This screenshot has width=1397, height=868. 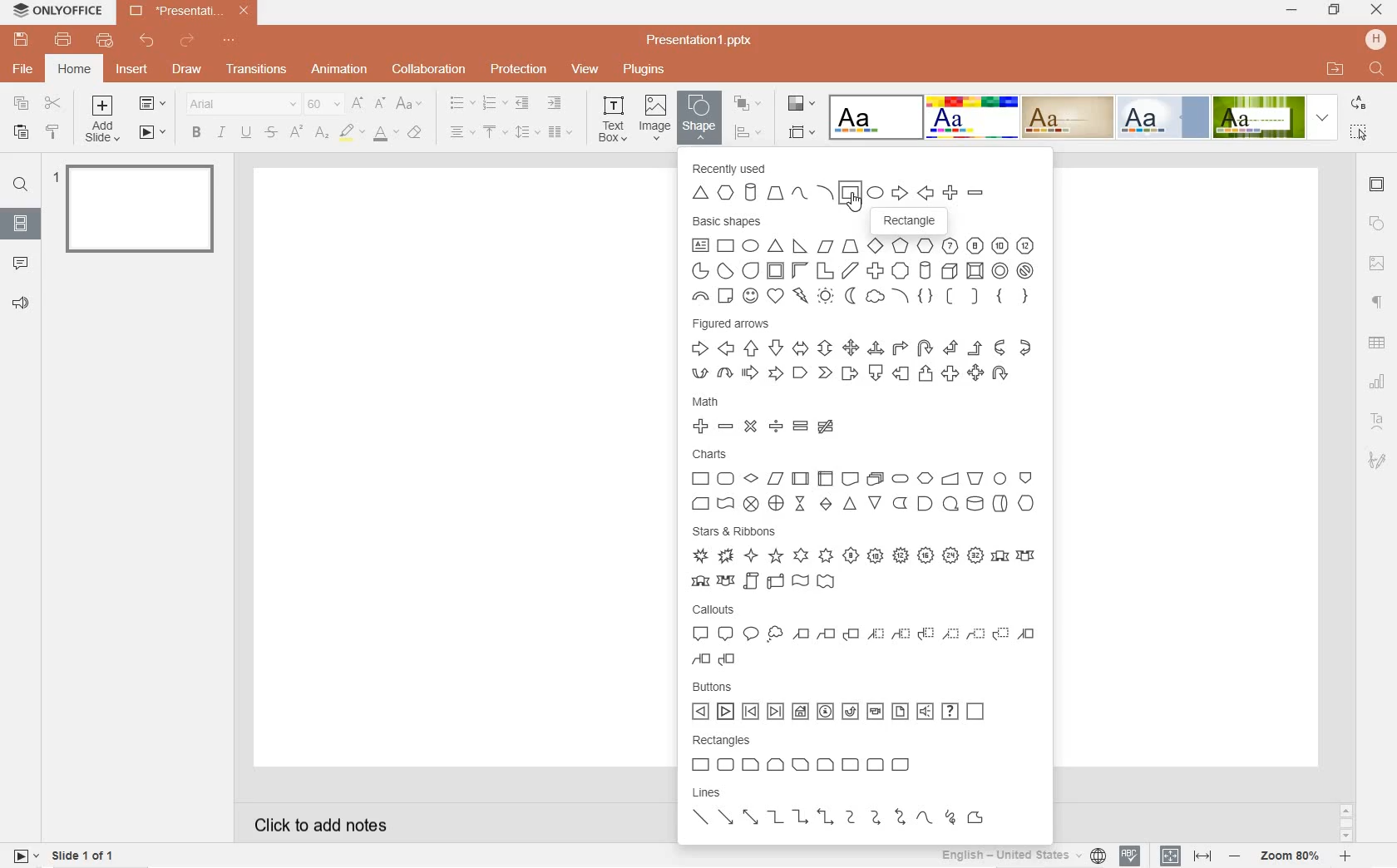 What do you see at coordinates (876, 296) in the screenshot?
I see `Cloud` at bounding box center [876, 296].